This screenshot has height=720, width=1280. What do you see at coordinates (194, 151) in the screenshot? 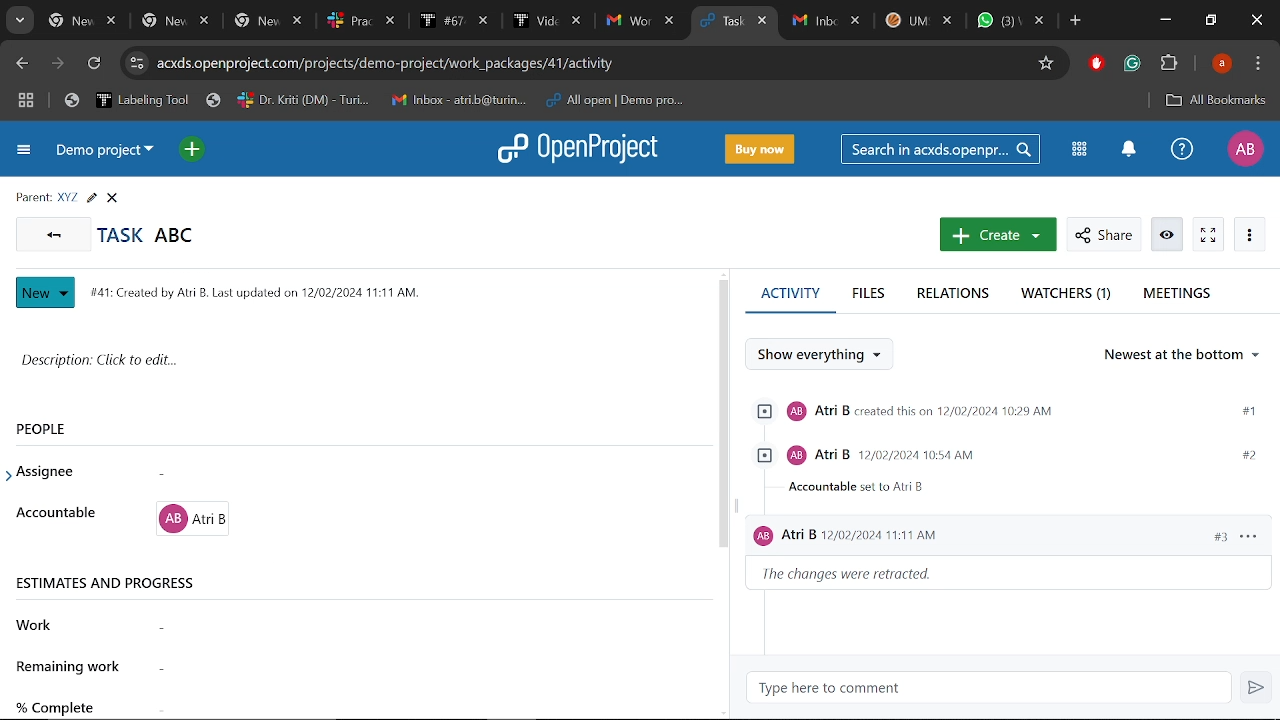
I see `Open quick add menu` at bounding box center [194, 151].